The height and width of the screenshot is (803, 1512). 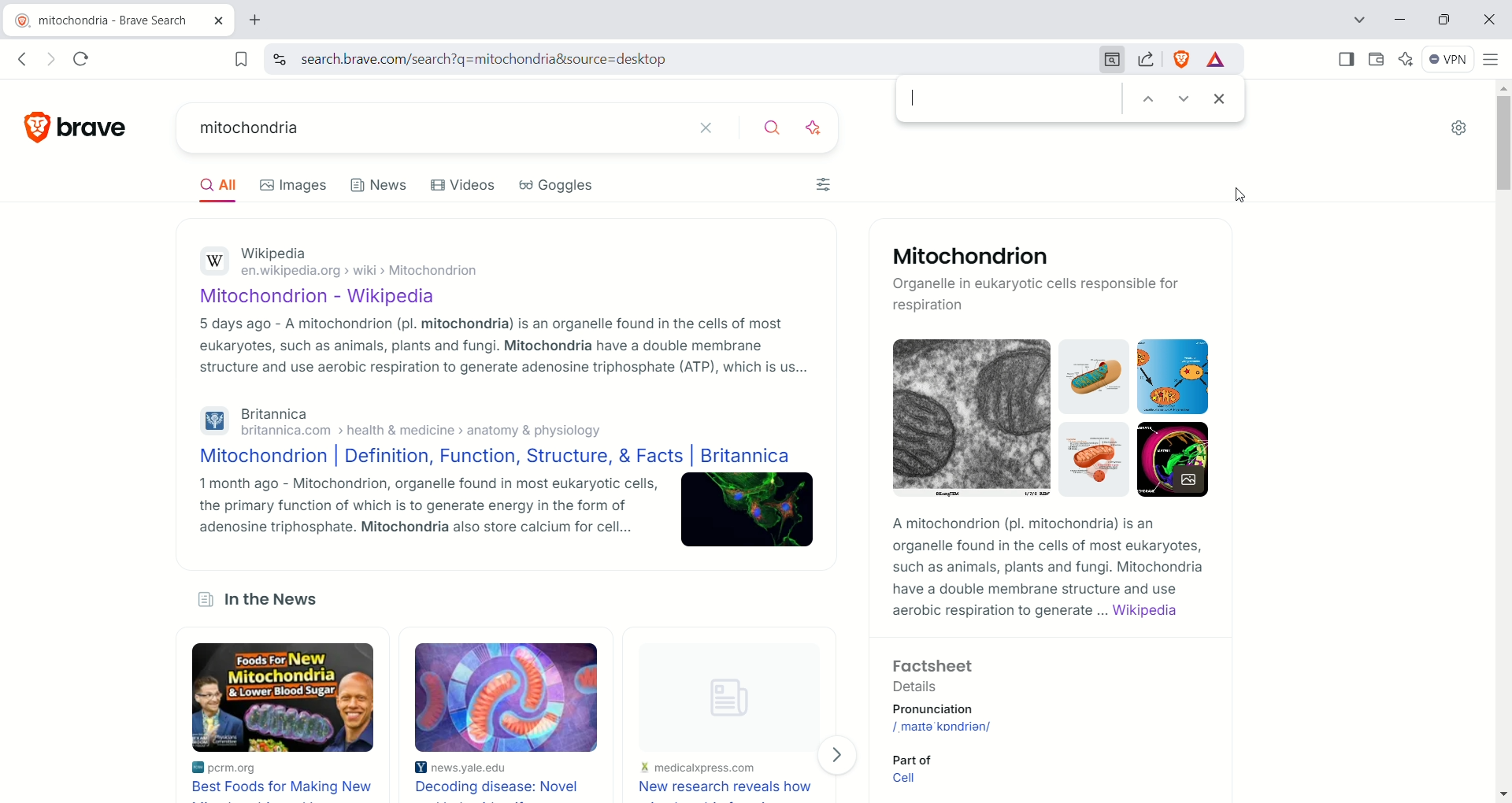 I want to click on click to go forward, hold to see history, so click(x=51, y=58).